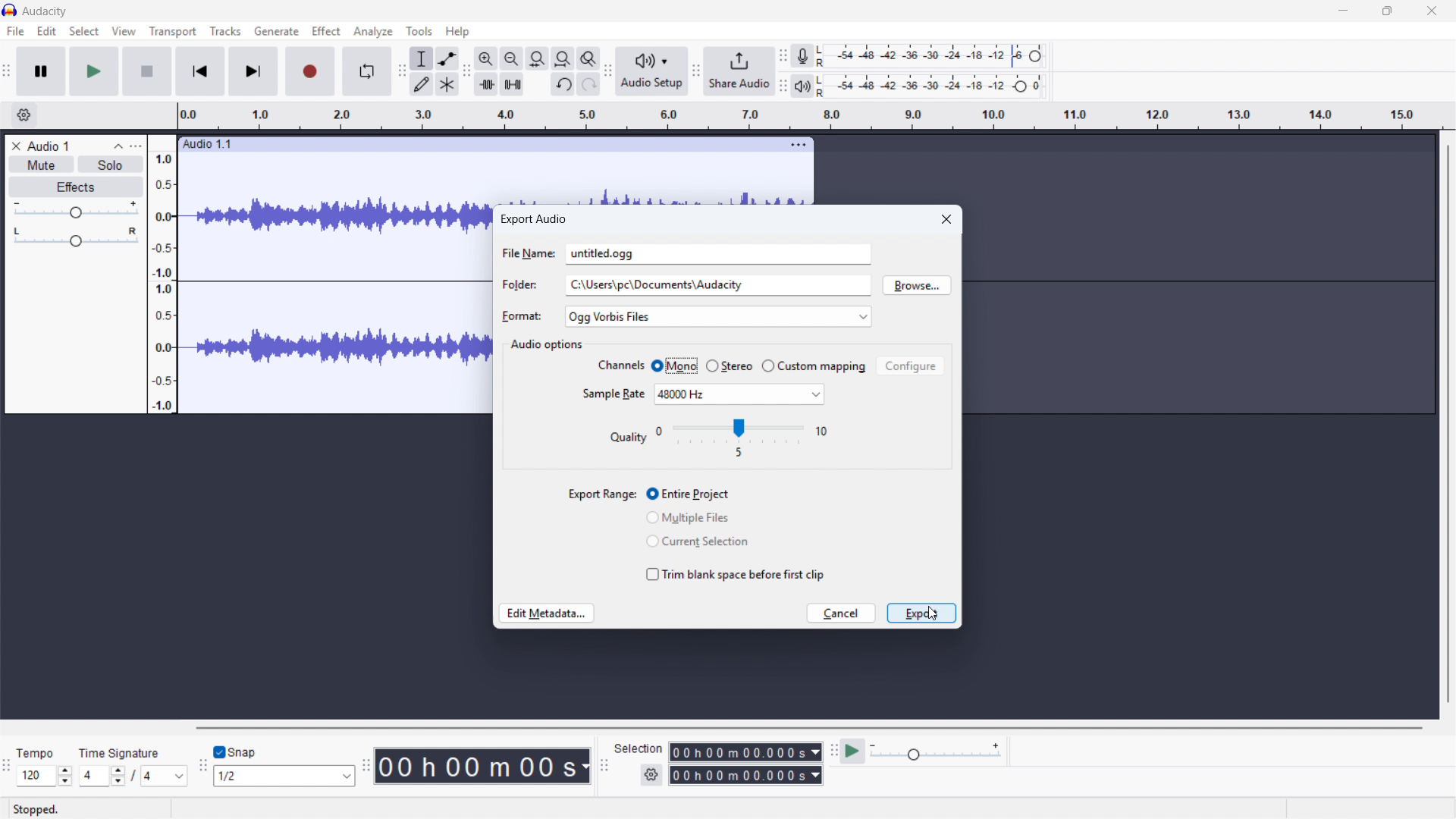 The width and height of the screenshot is (1456, 819). Describe the element at coordinates (120, 754) in the screenshot. I see `time signature` at that location.